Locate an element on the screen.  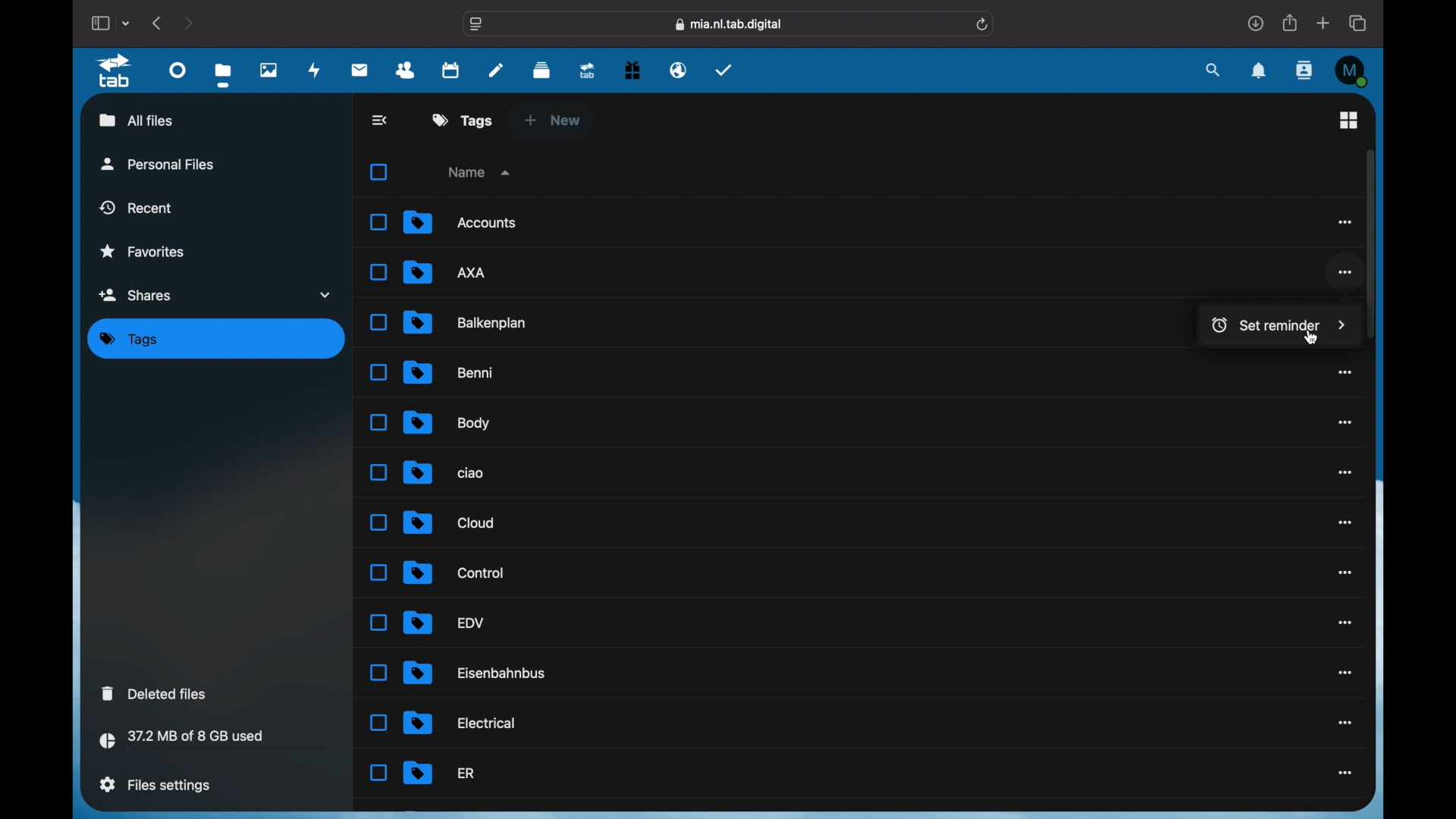
new is located at coordinates (552, 120).